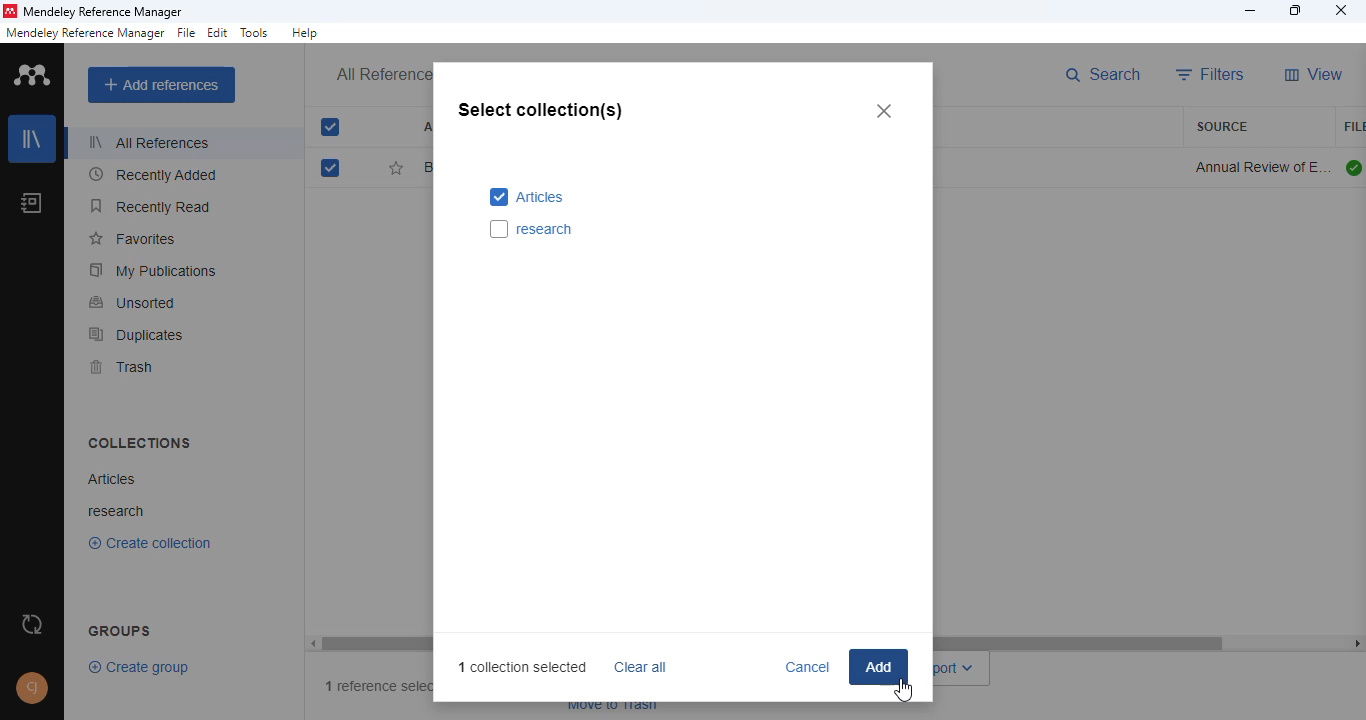 The width and height of the screenshot is (1366, 720). Describe the element at coordinates (32, 688) in the screenshot. I see `profile` at that location.